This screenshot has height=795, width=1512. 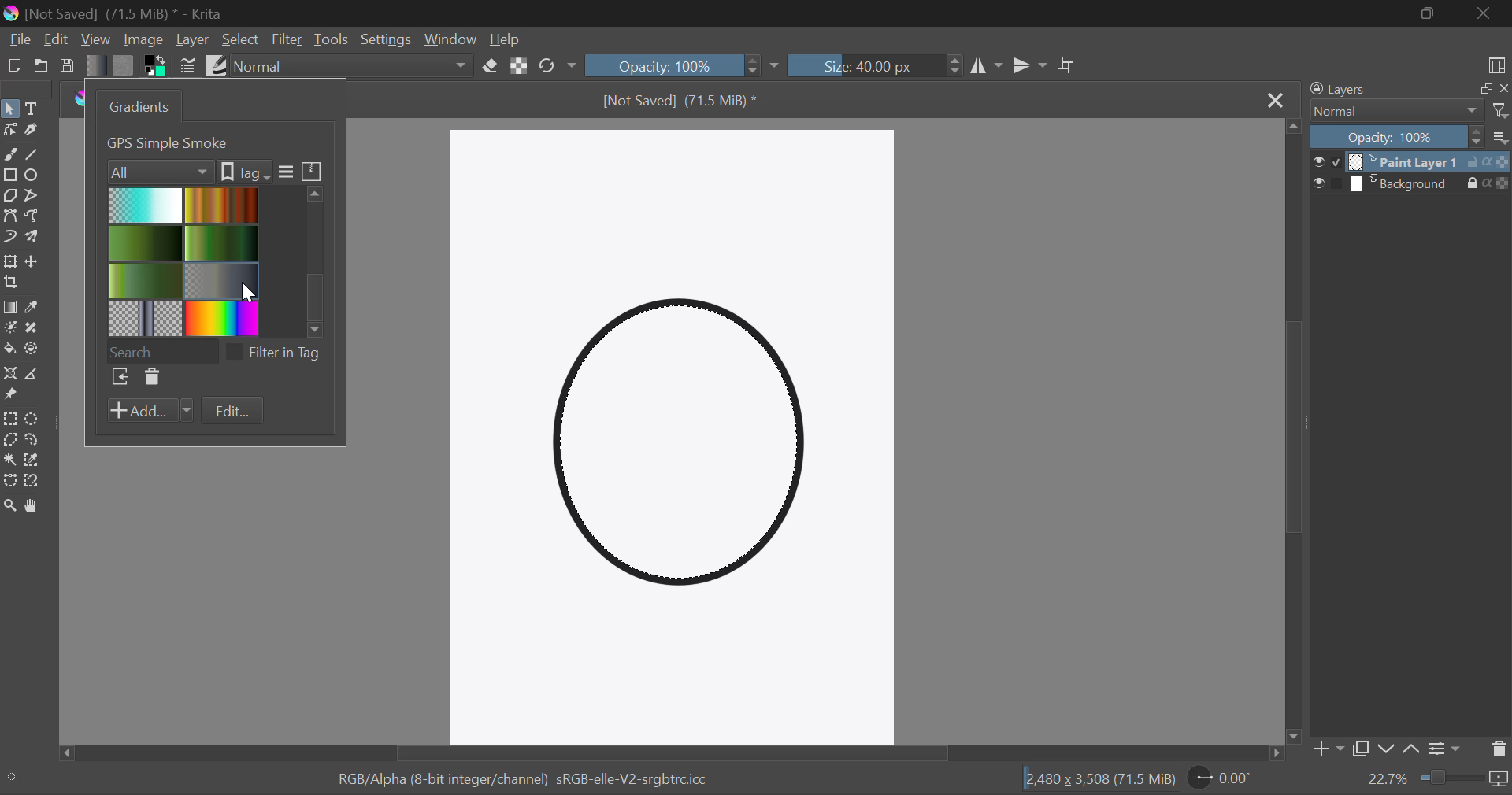 I want to click on Opacity, so click(x=1395, y=138).